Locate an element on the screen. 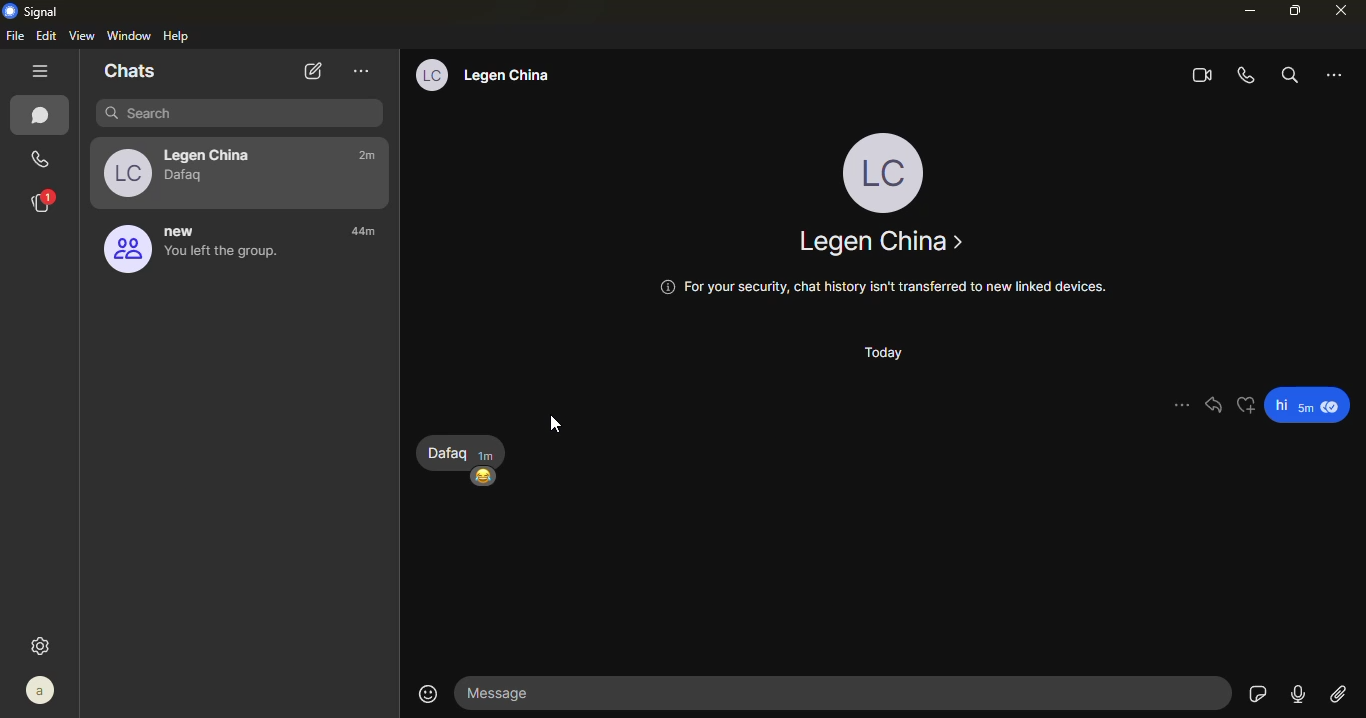  maximize is located at coordinates (1293, 12).